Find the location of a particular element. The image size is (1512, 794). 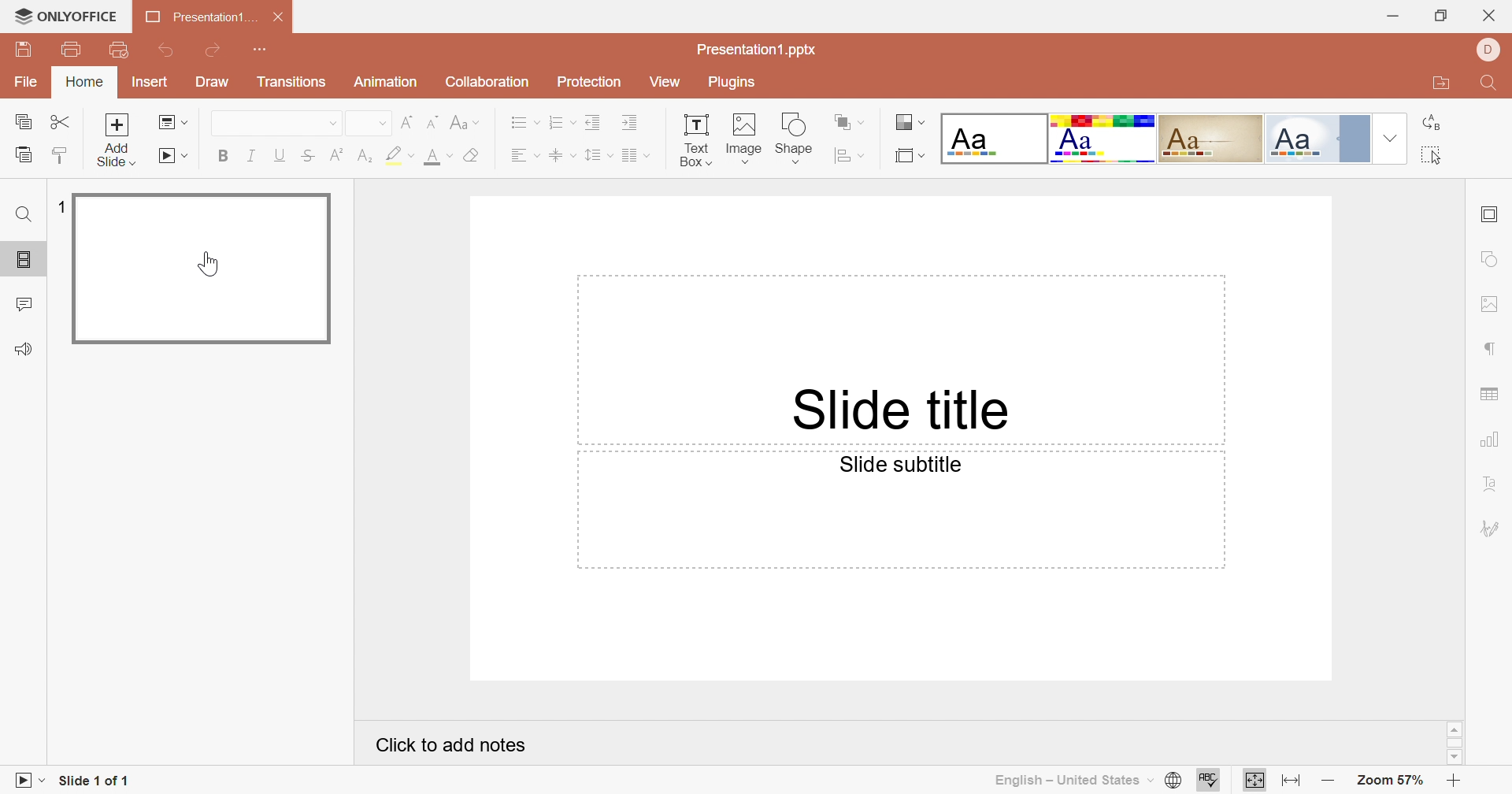

Fit to width is located at coordinates (1255, 781).